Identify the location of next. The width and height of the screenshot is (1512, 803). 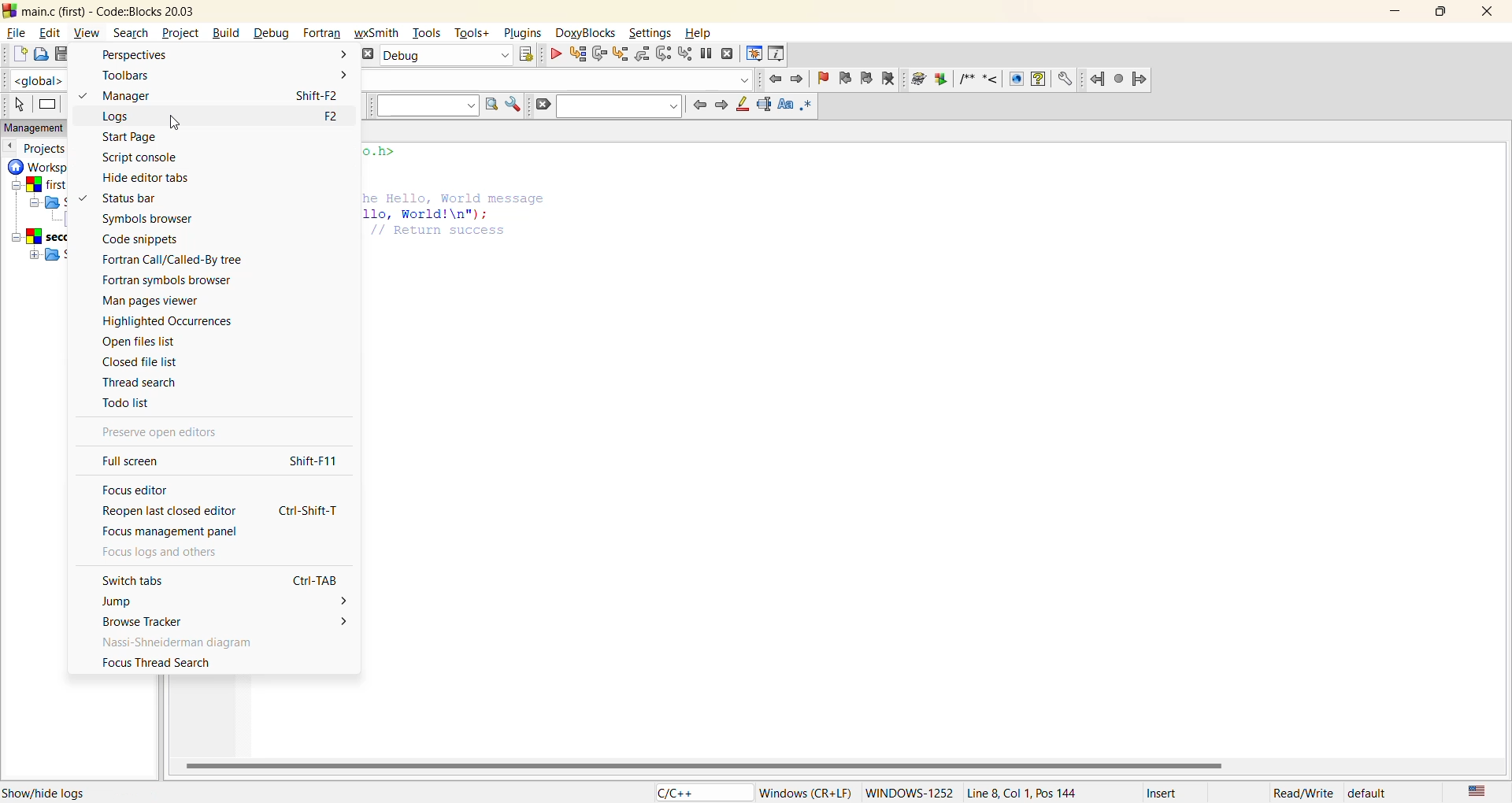
(721, 105).